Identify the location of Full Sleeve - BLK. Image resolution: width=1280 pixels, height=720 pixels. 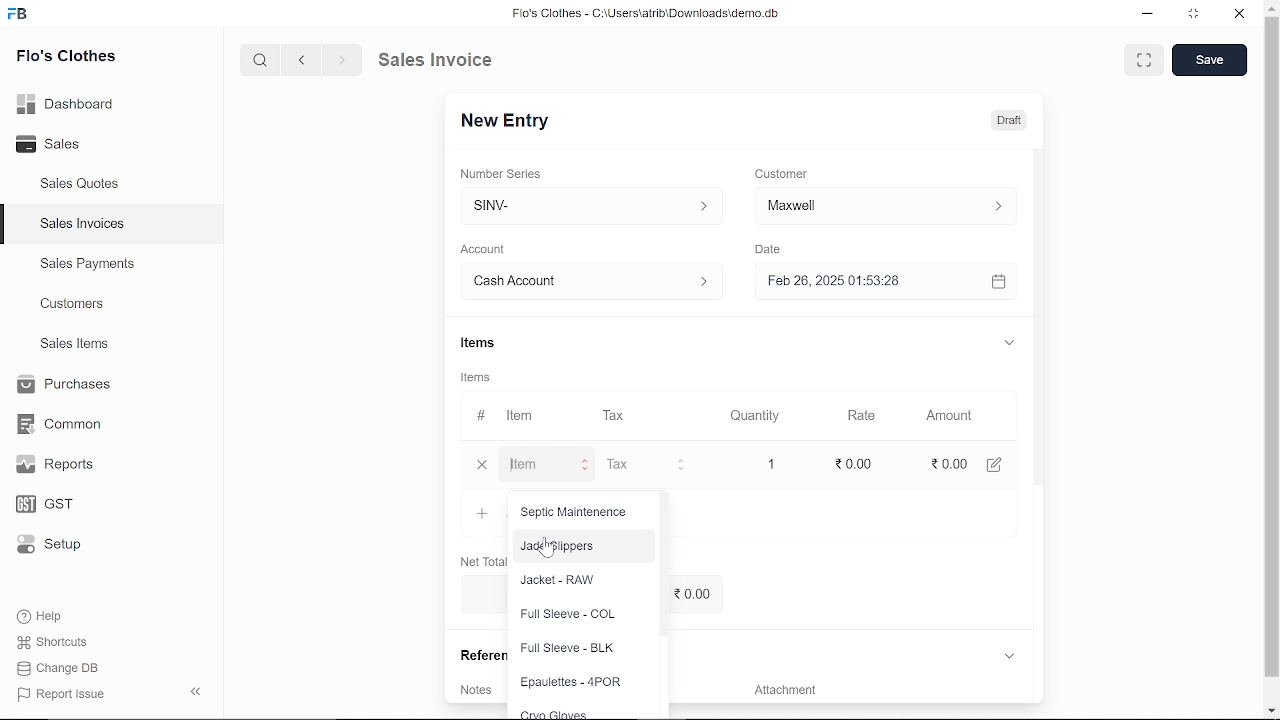
(584, 650).